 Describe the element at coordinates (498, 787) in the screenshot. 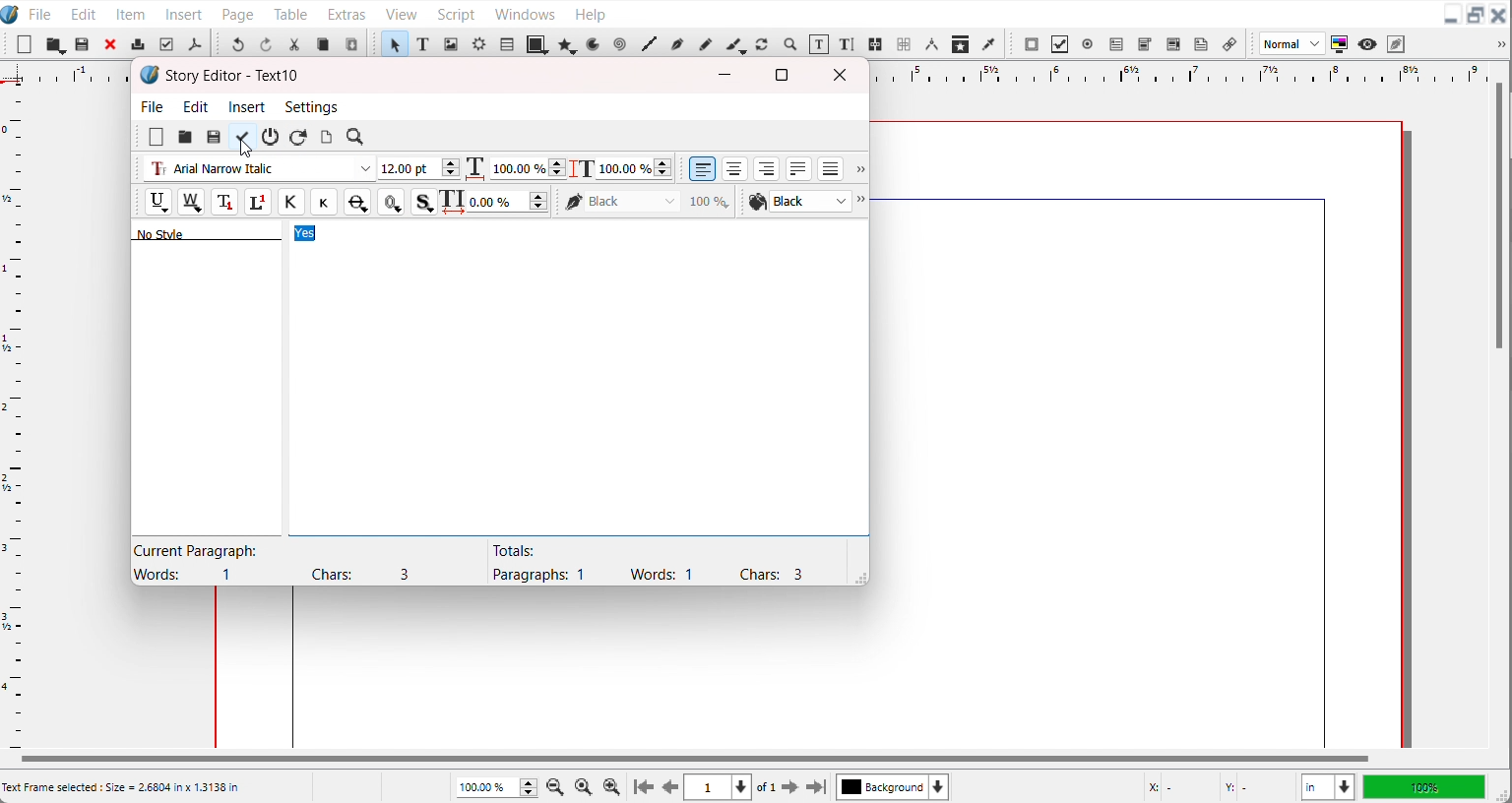

I see `Adjust Zoom` at that location.